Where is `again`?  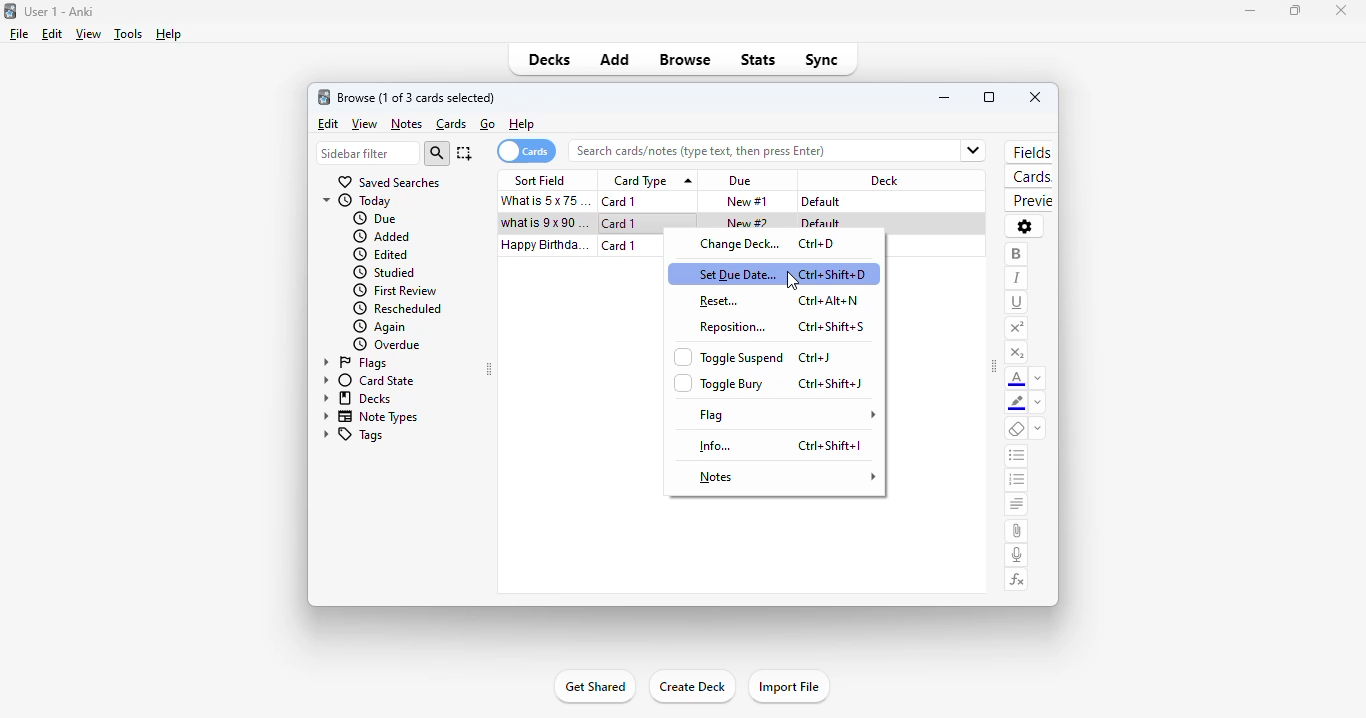
again is located at coordinates (379, 327).